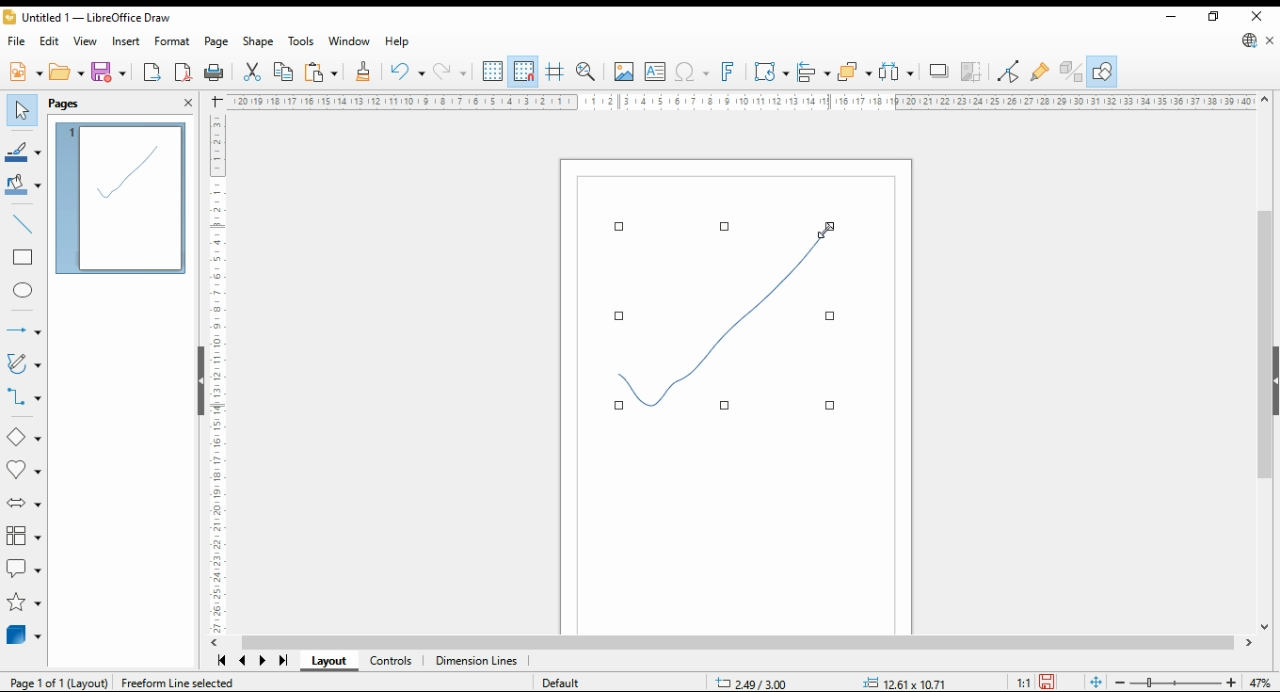 This screenshot has height=692, width=1280. What do you see at coordinates (23, 637) in the screenshot?
I see `3D objects` at bounding box center [23, 637].